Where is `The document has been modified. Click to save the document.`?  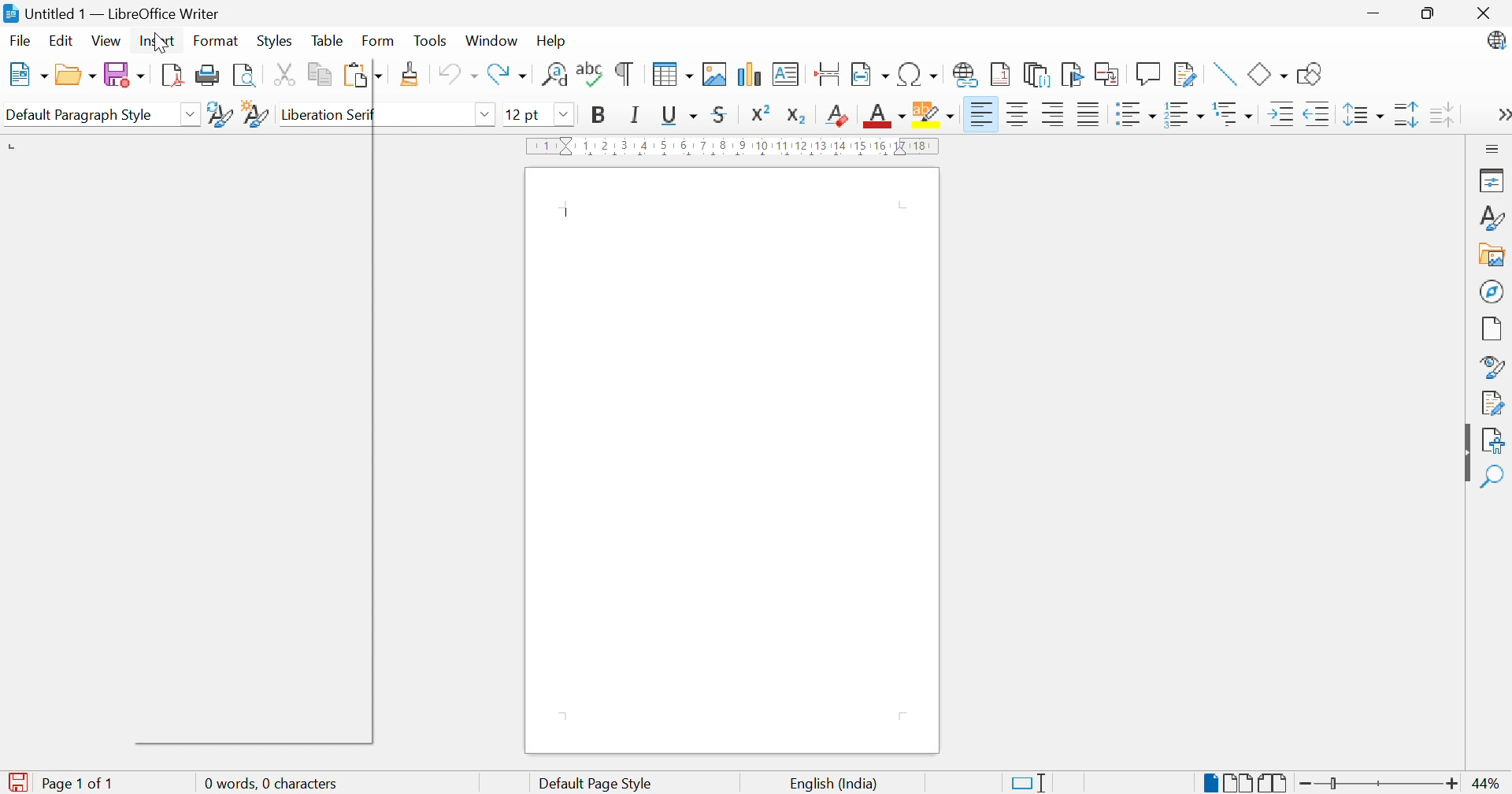
The document has been modified. Click to save the document. is located at coordinates (15, 783).